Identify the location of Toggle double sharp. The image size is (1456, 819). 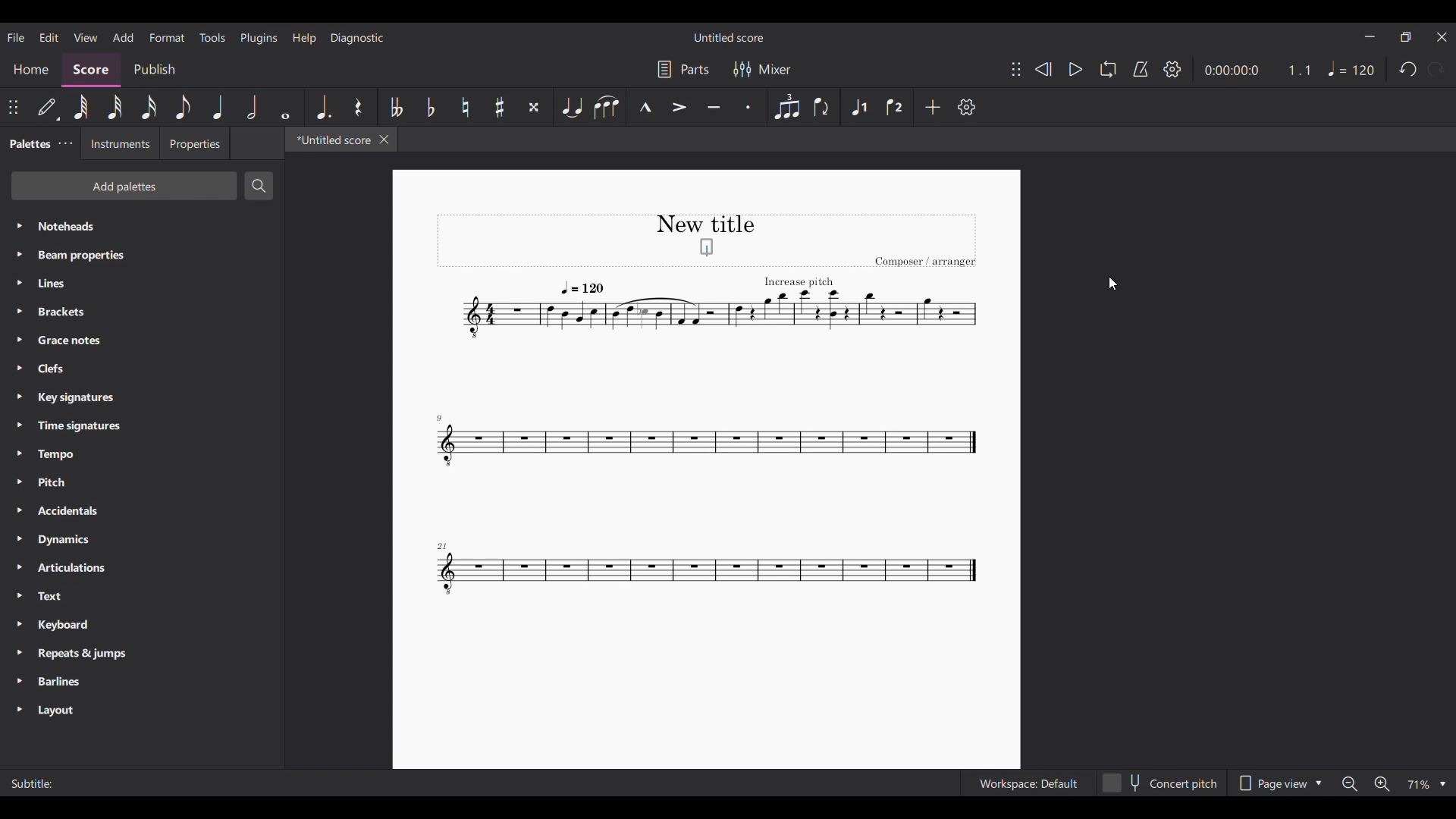
(533, 108).